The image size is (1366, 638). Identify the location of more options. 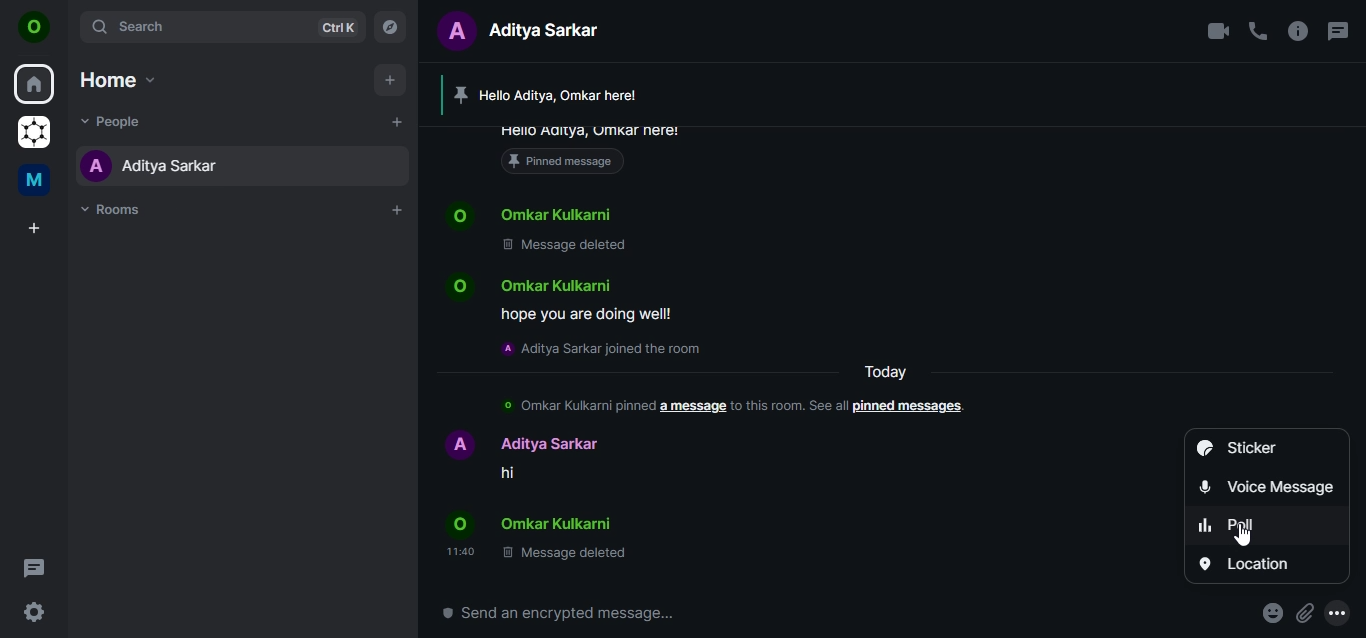
(1344, 613).